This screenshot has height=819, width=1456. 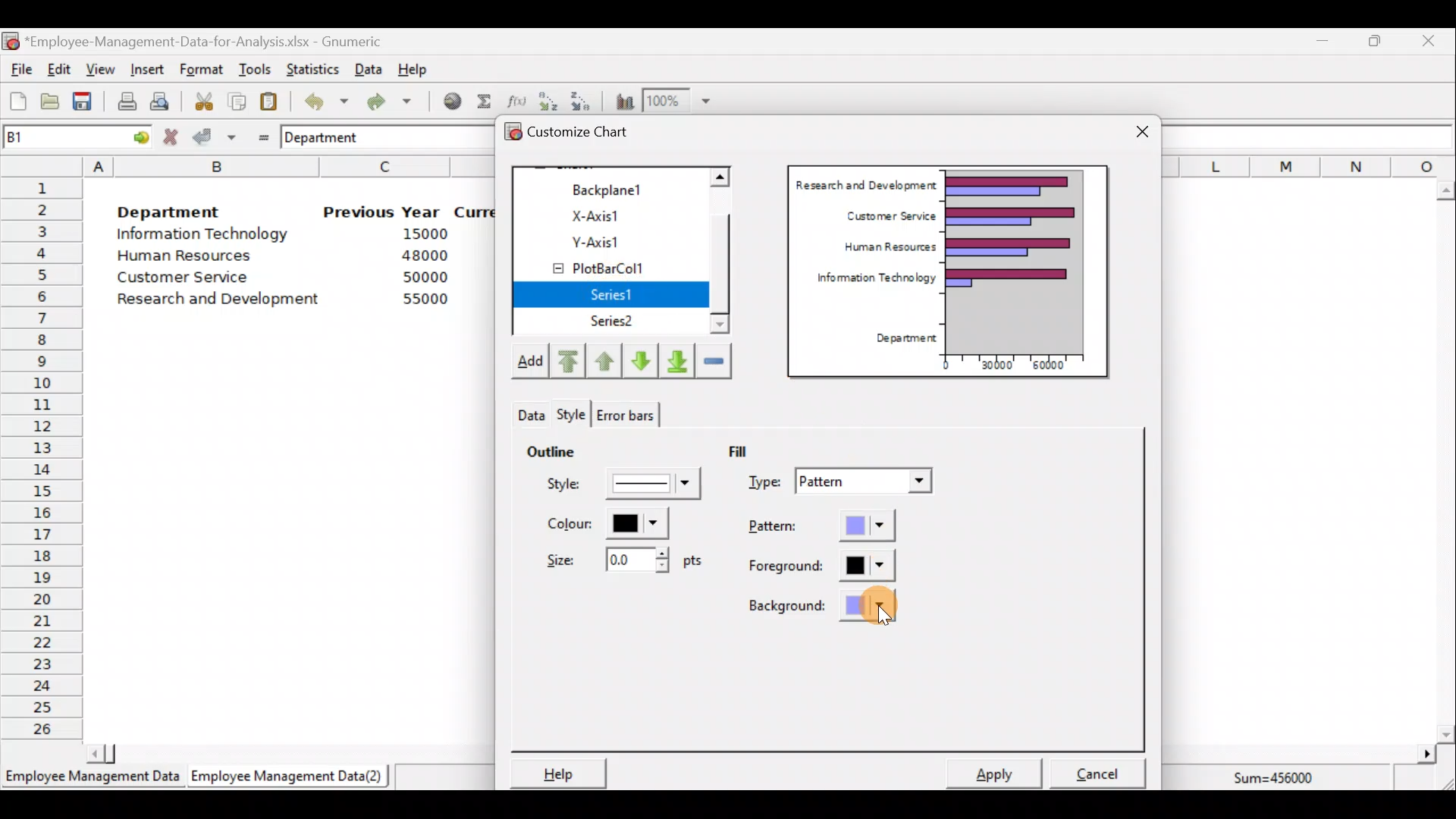 What do you see at coordinates (199, 99) in the screenshot?
I see `Cut the selection` at bounding box center [199, 99].